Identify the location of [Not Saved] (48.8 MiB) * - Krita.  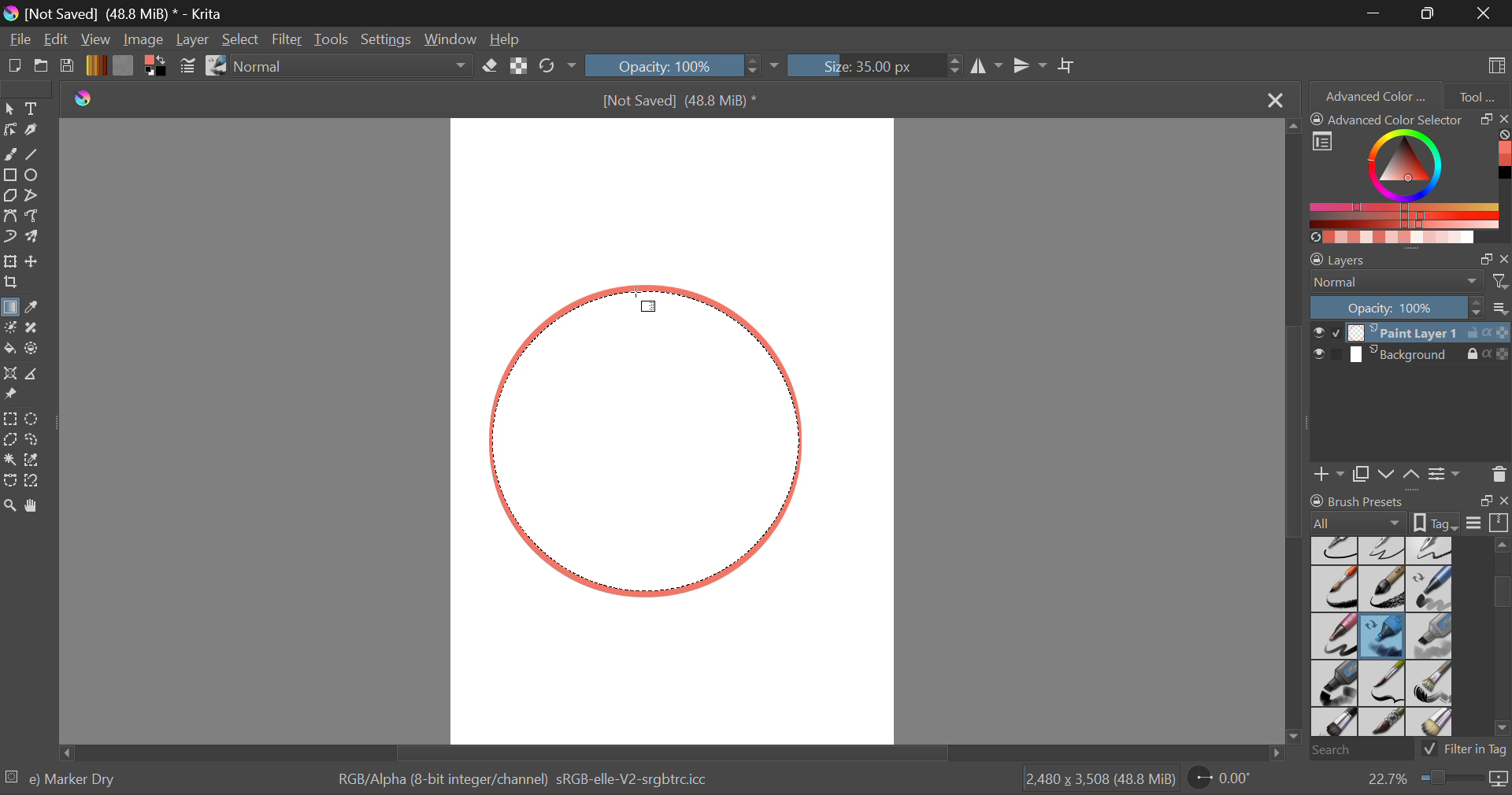
(124, 13).